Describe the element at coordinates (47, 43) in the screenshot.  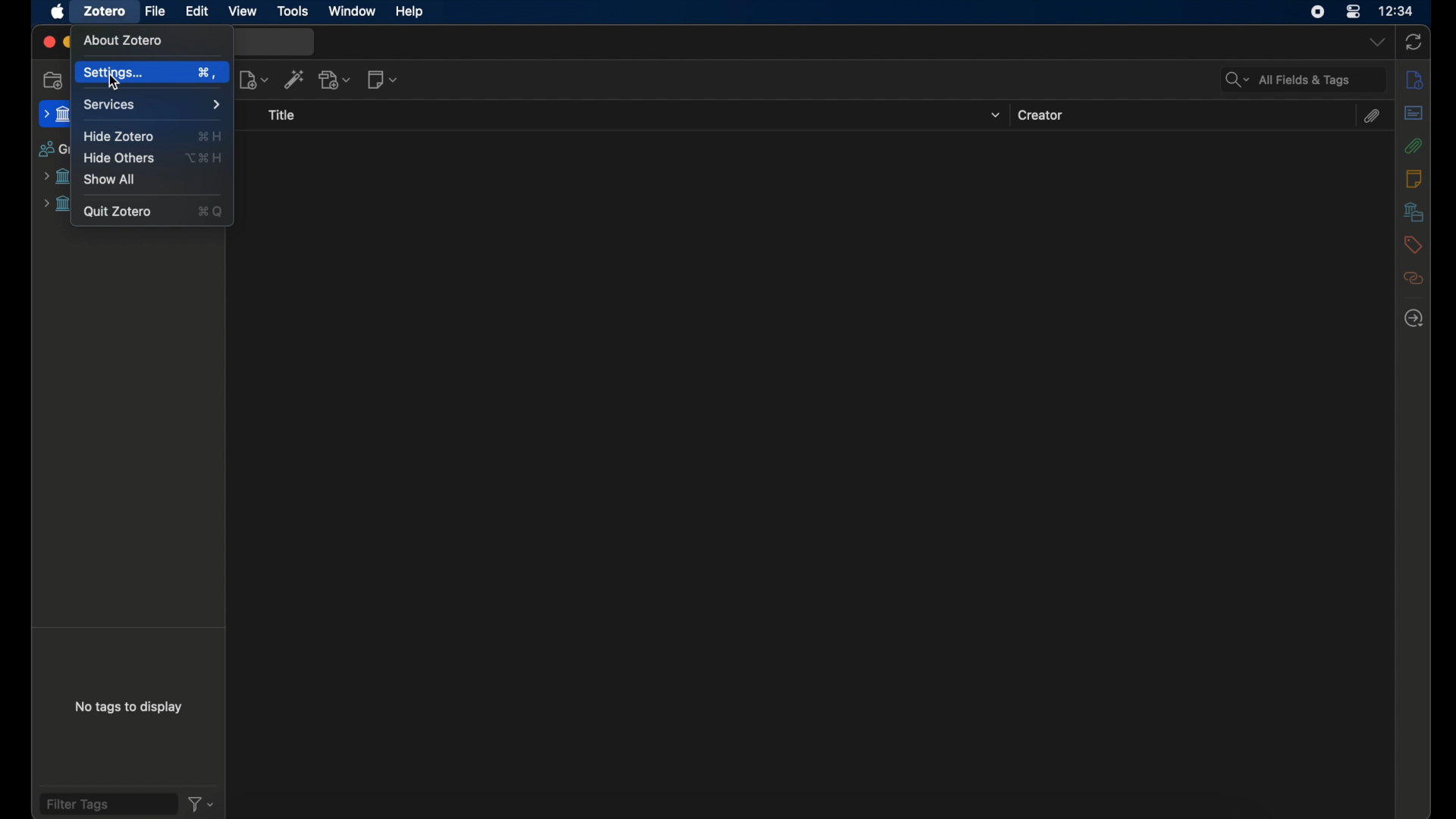
I see `close` at that location.